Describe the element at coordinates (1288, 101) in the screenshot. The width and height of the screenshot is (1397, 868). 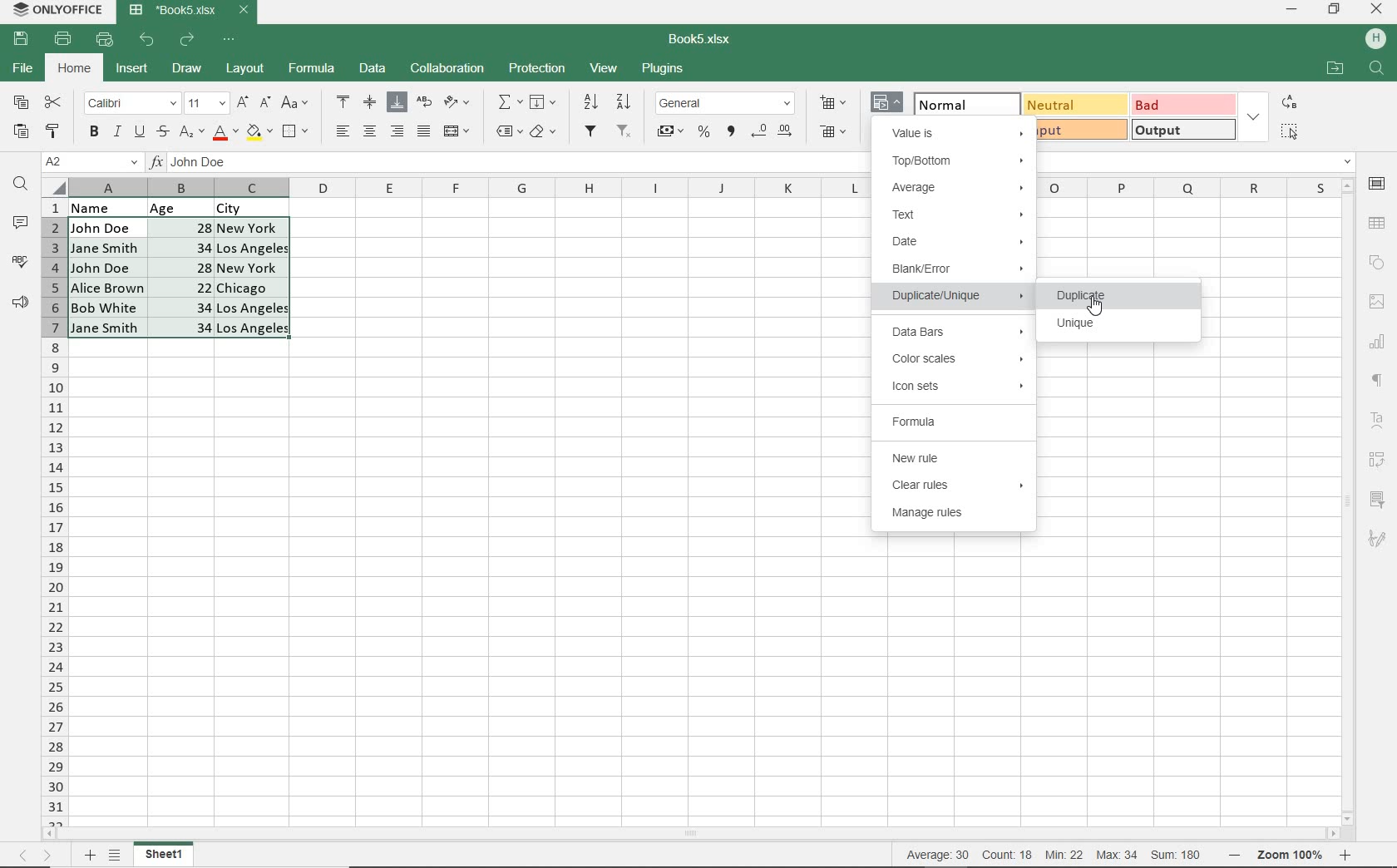
I see `REPLACE` at that location.